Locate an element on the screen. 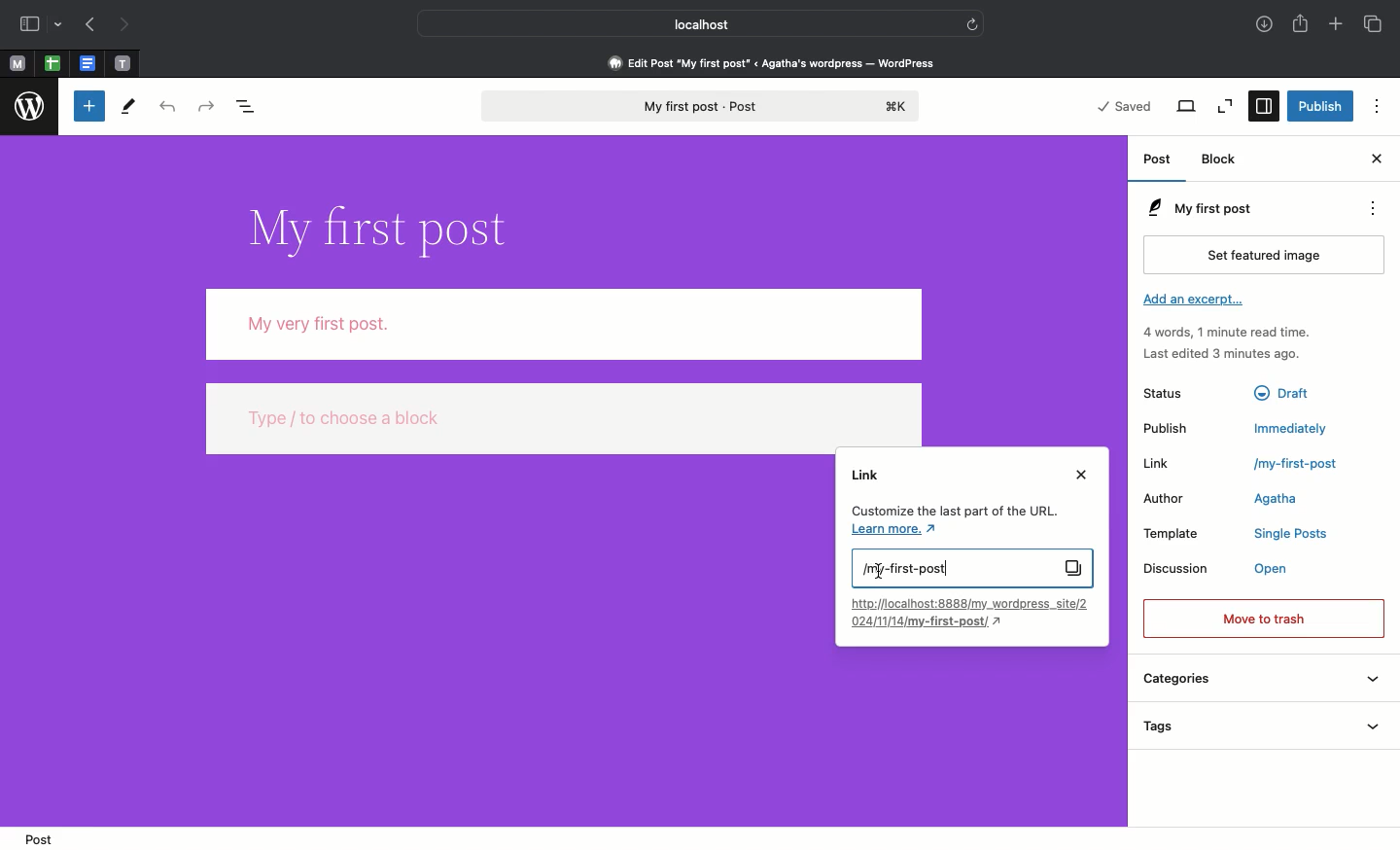 The height and width of the screenshot is (850, 1400). Single Posts is located at coordinates (1289, 533).